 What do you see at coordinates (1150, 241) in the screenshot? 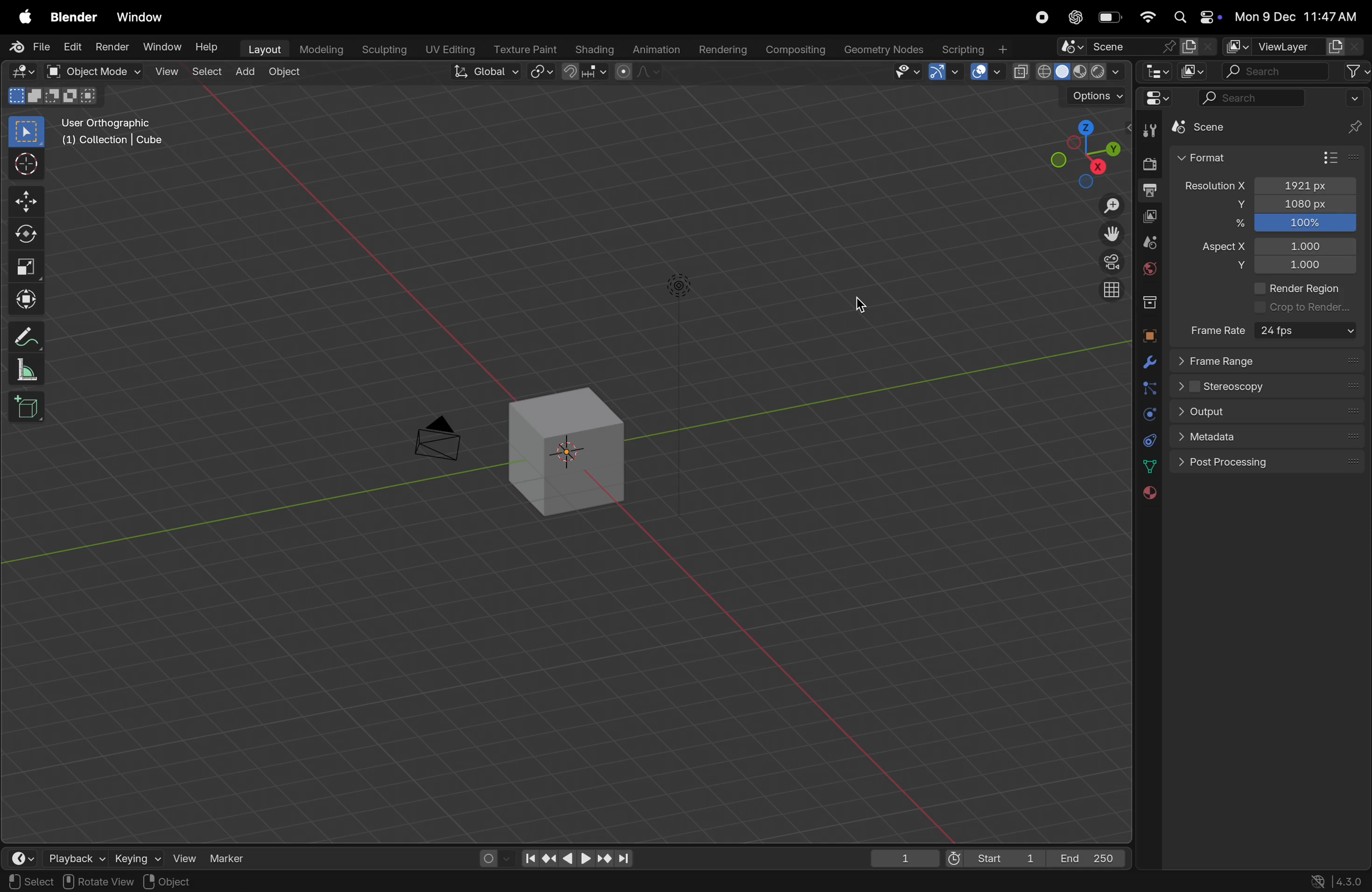
I see `scene` at bounding box center [1150, 241].